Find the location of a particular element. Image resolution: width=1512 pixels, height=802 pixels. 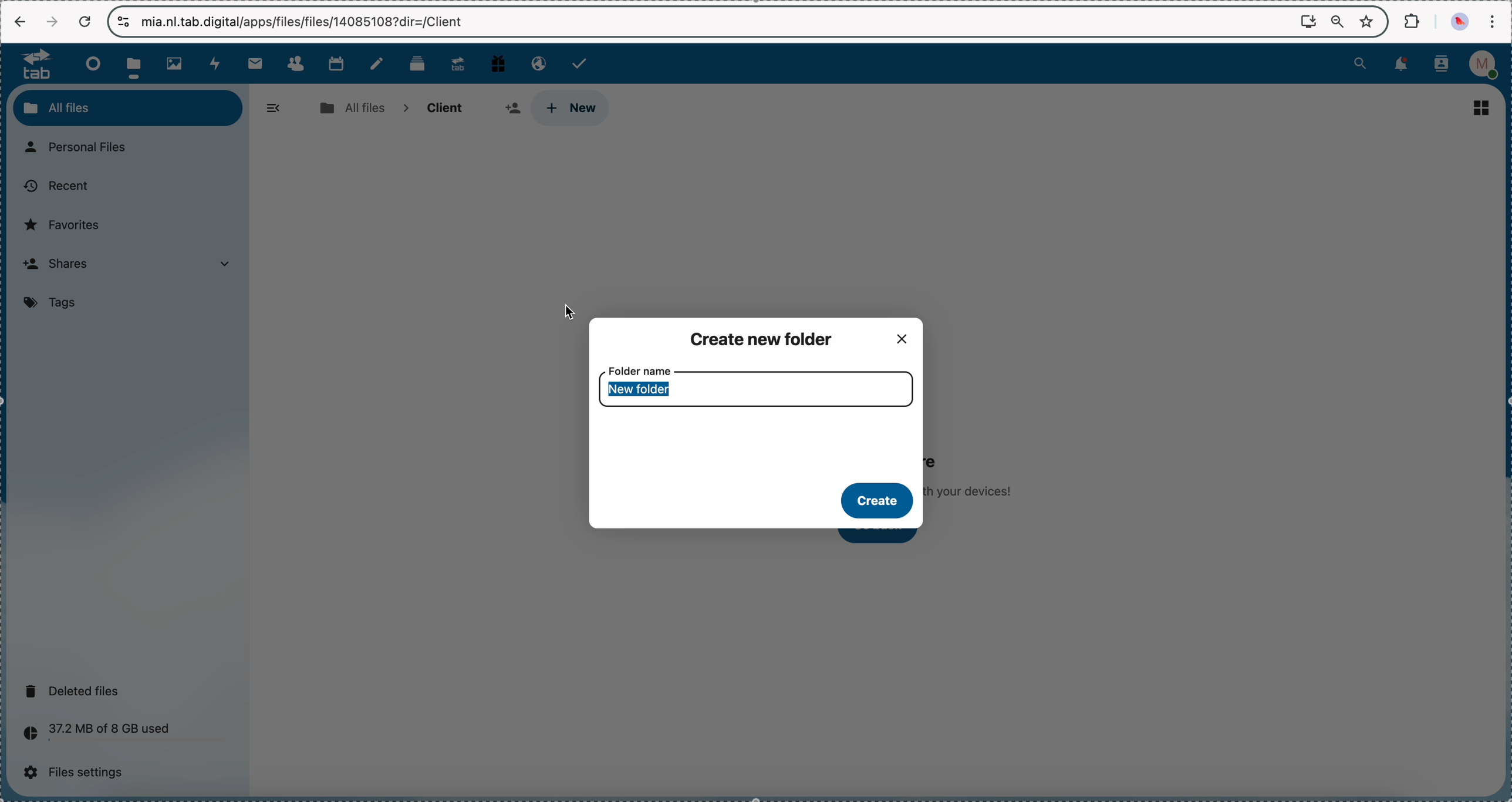

activity is located at coordinates (217, 63).